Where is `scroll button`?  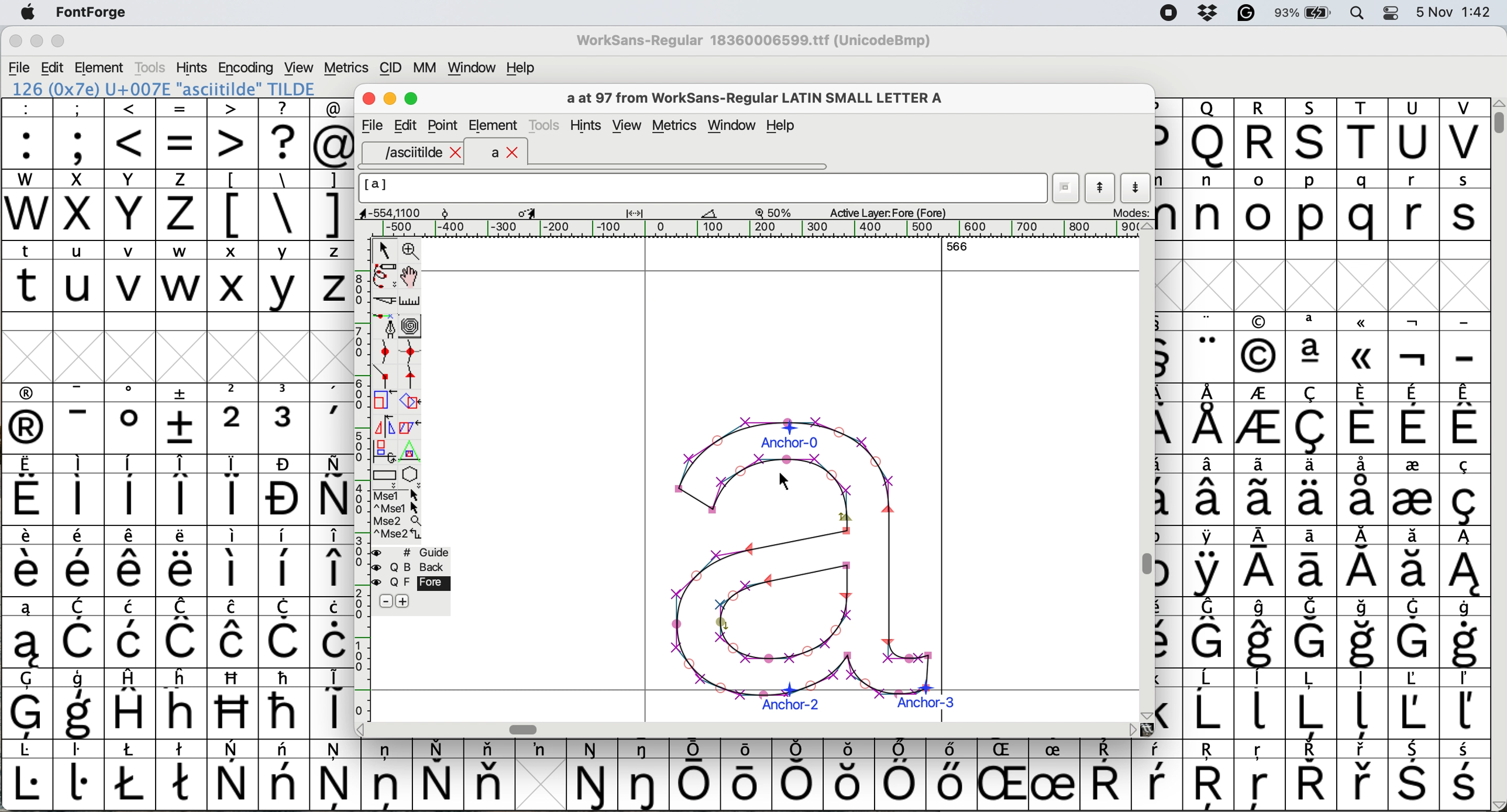 scroll button is located at coordinates (1133, 729).